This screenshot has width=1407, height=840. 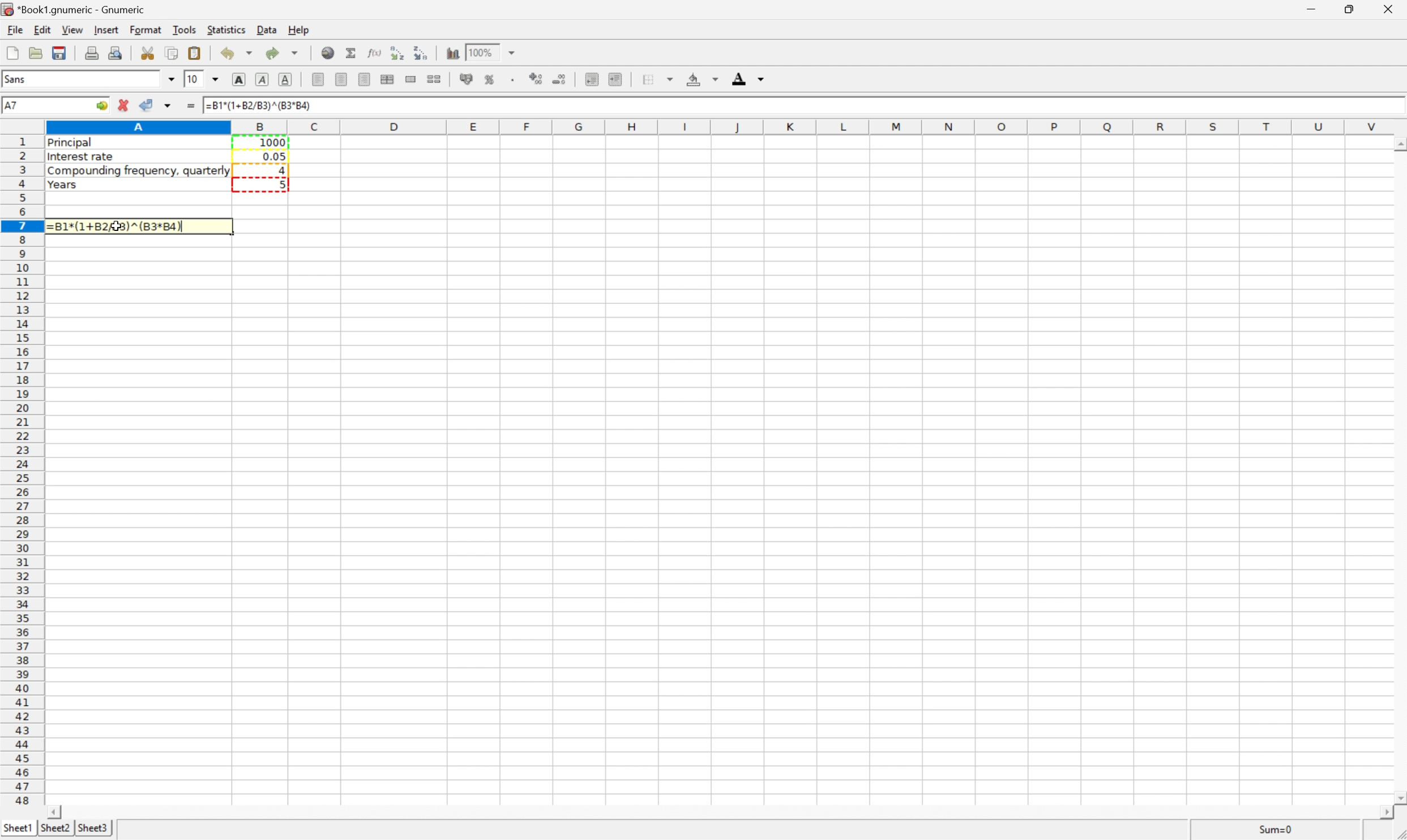 I want to click on drop down, so click(x=513, y=53).